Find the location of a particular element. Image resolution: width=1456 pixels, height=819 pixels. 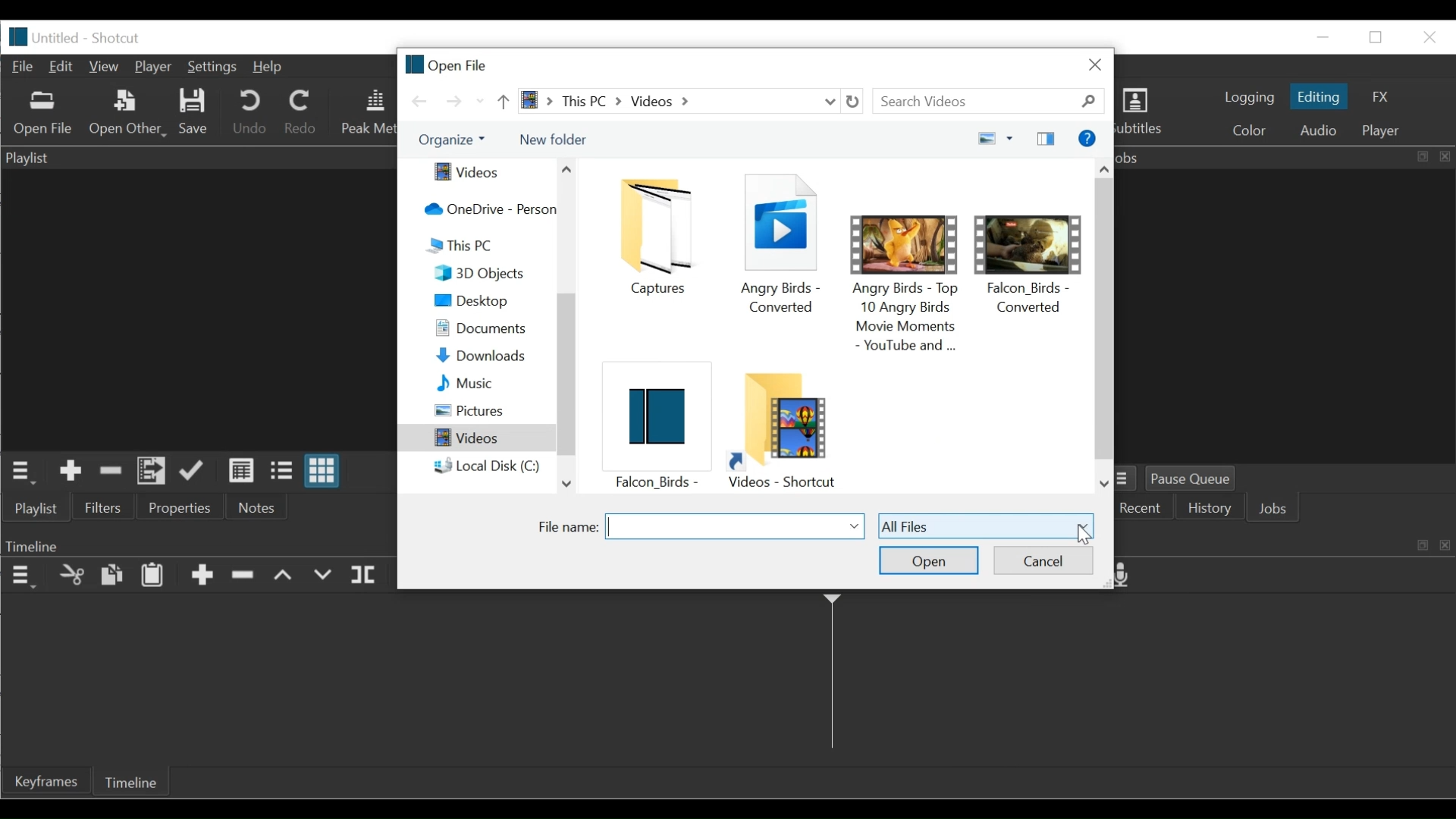

Recent is located at coordinates (480, 102).